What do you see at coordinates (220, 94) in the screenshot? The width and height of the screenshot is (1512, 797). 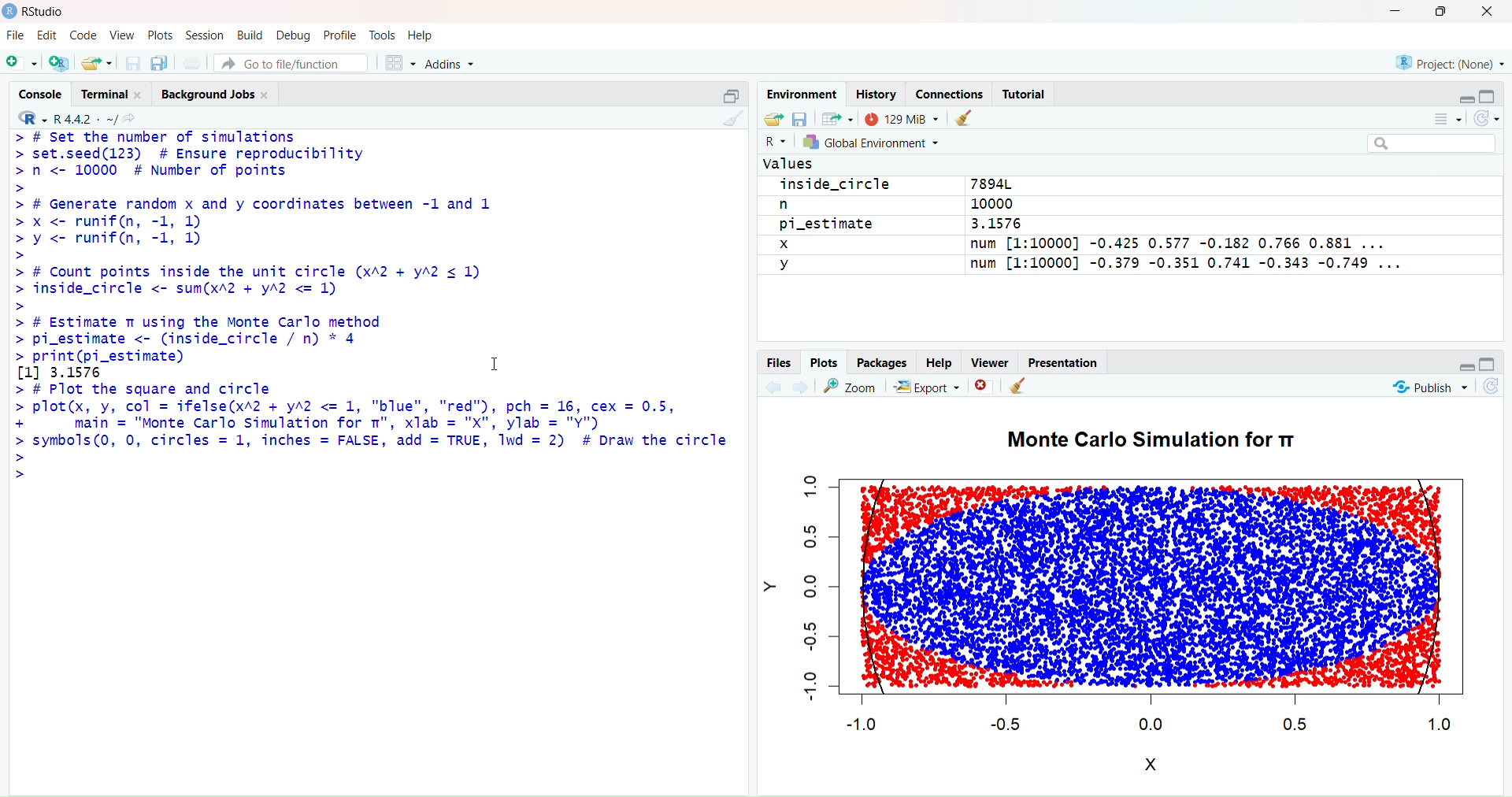 I see `Background Jobs` at bounding box center [220, 94].